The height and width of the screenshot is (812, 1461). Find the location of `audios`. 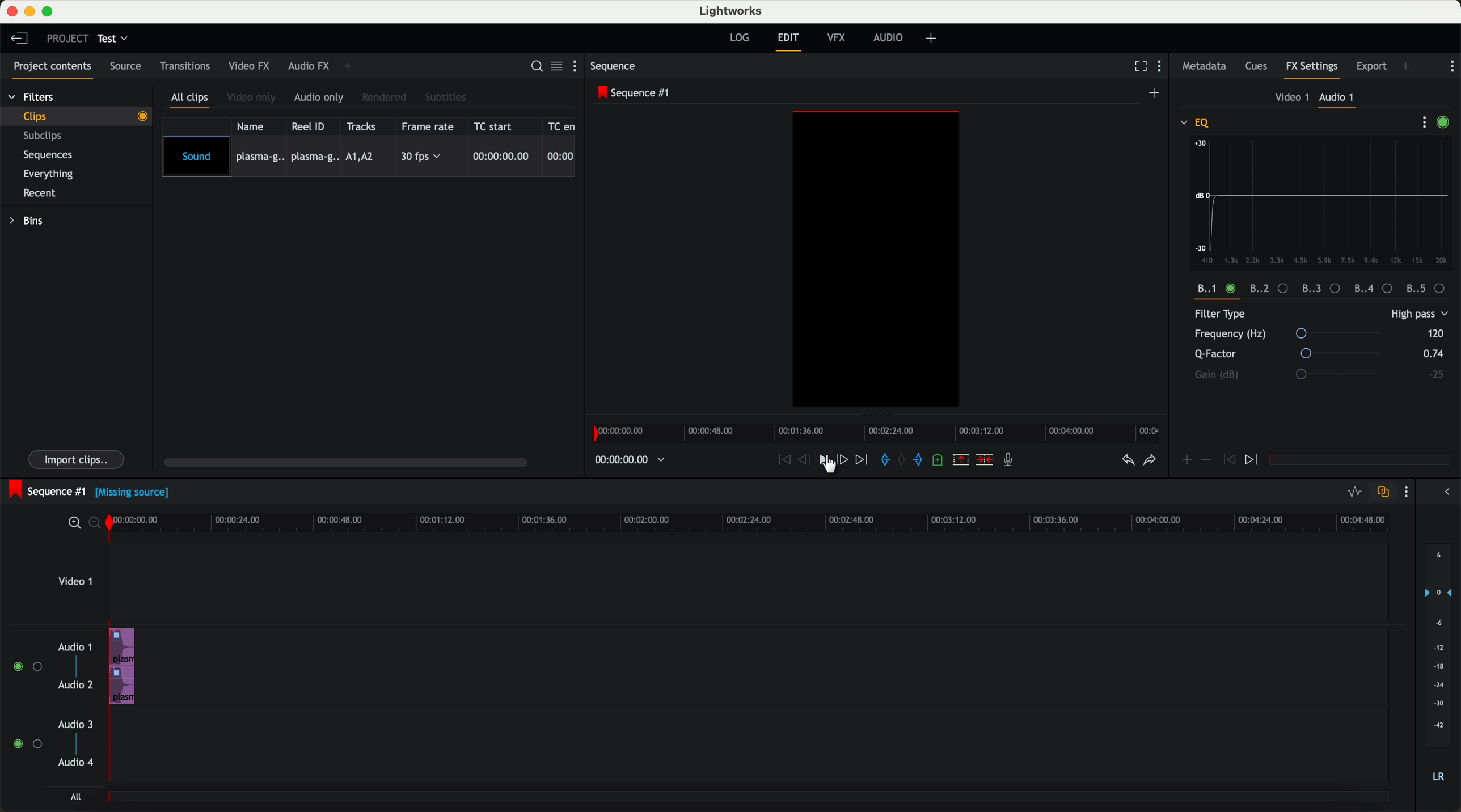

audios is located at coordinates (50, 706).